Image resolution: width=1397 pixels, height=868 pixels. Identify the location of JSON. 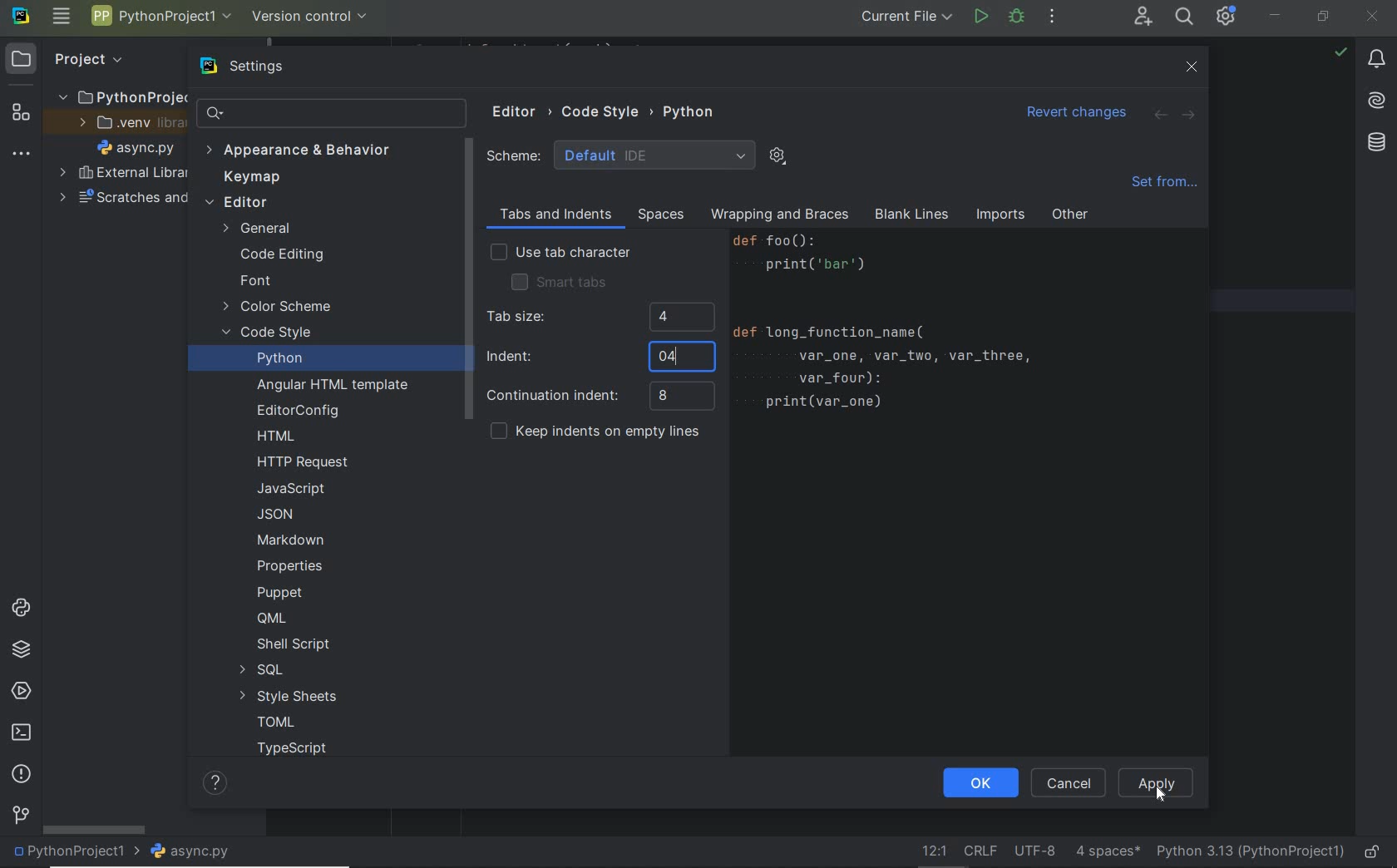
(280, 514).